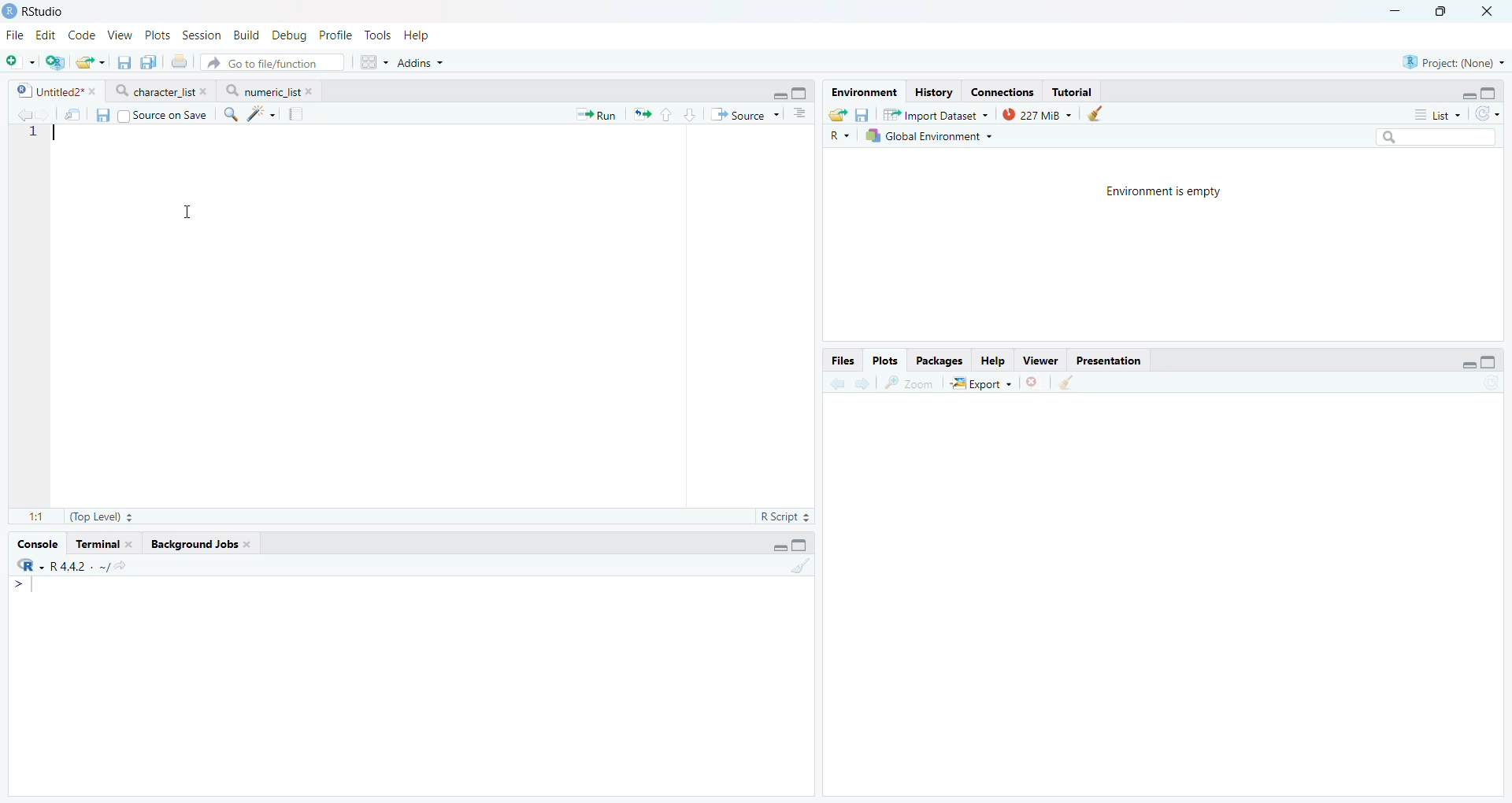  What do you see at coordinates (1491, 12) in the screenshot?
I see `Close` at bounding box center [1491, 12].